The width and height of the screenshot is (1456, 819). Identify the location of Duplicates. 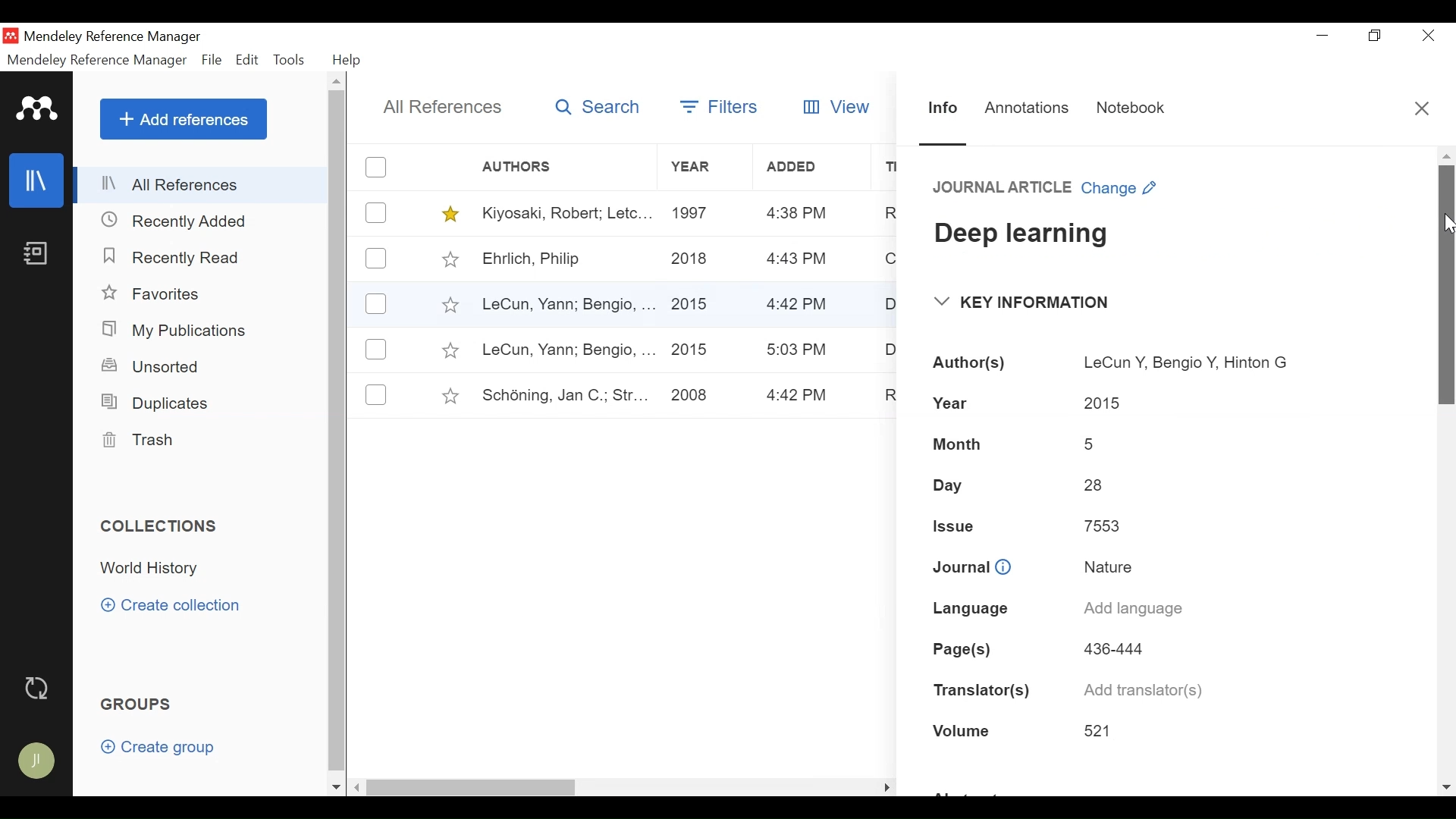
(152, 402).